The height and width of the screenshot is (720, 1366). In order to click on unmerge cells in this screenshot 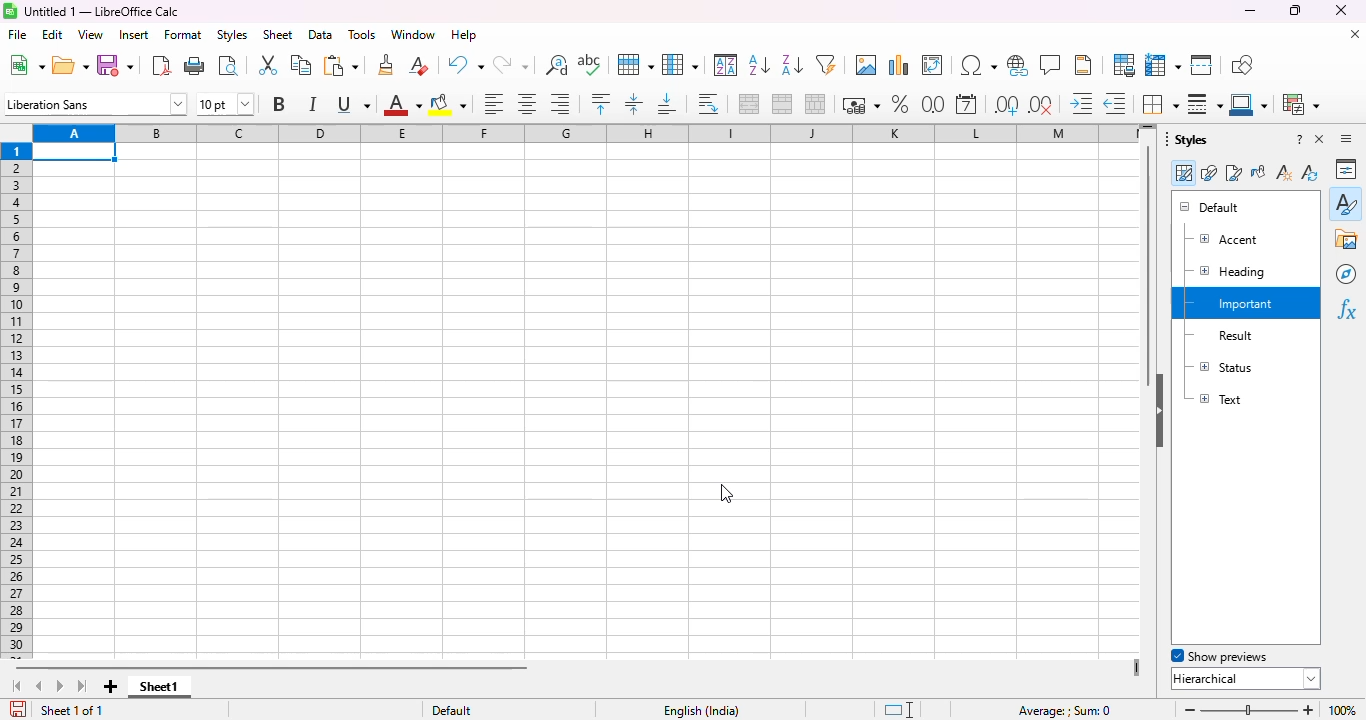, I will do `click(815, 104)`.